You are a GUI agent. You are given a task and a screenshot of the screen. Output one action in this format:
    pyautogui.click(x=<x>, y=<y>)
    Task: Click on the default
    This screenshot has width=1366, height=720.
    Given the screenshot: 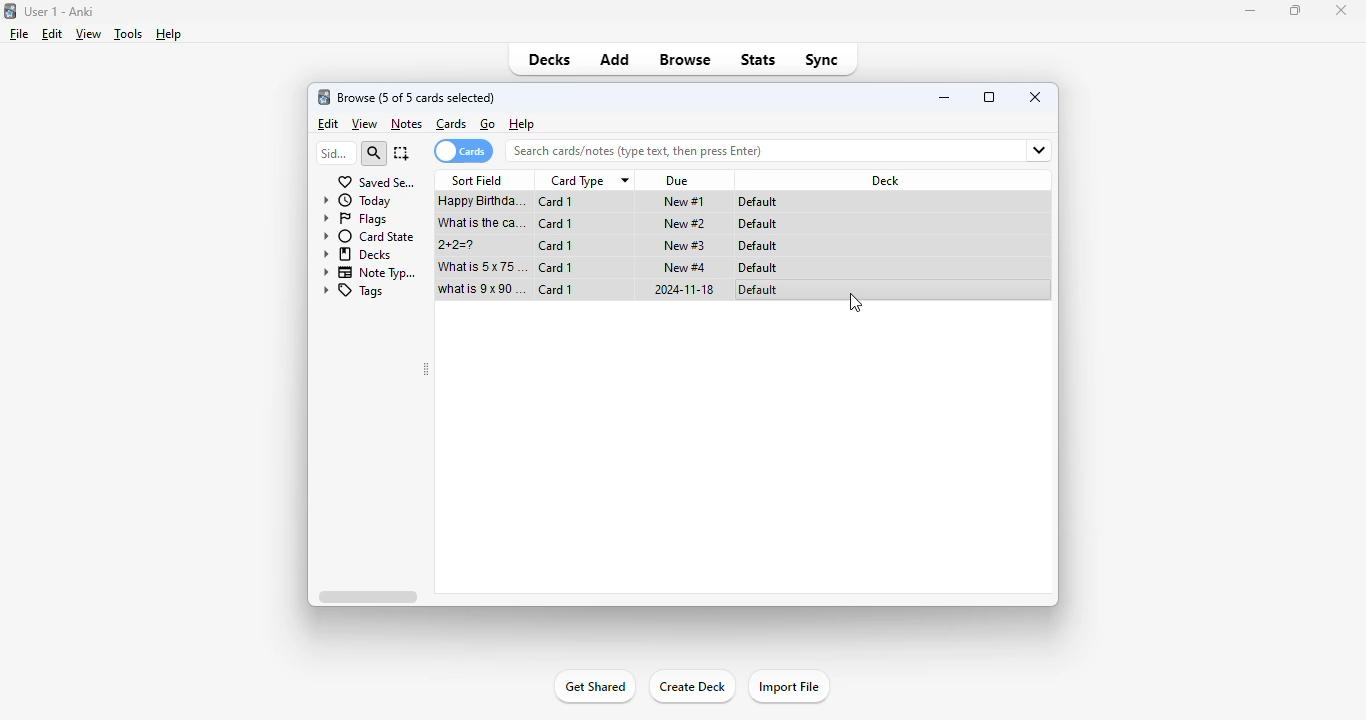 What is the action you would take?
    pyautogui.click(x=757, y=246)
    